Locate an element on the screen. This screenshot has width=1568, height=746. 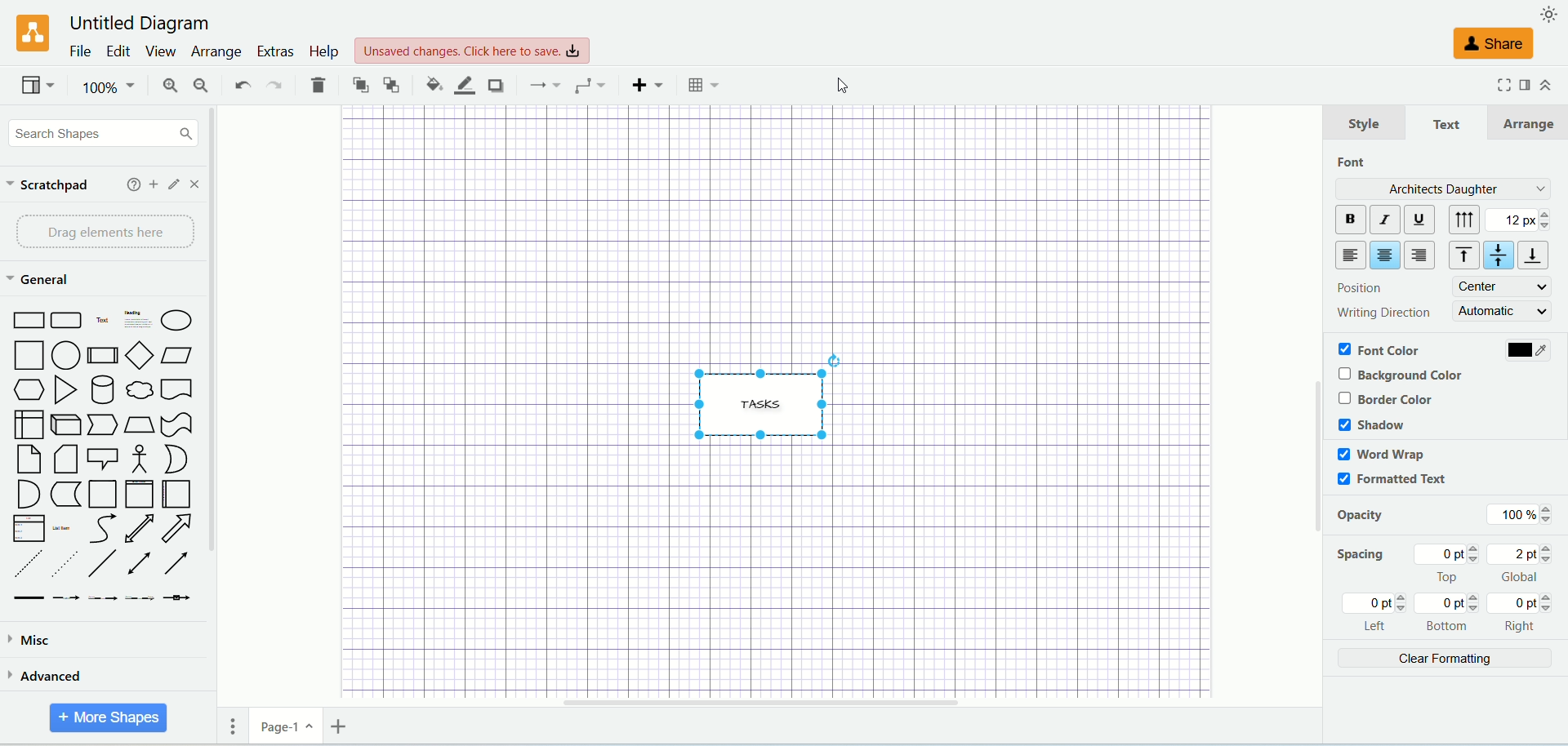
redo is located at coordinates (275, 85).